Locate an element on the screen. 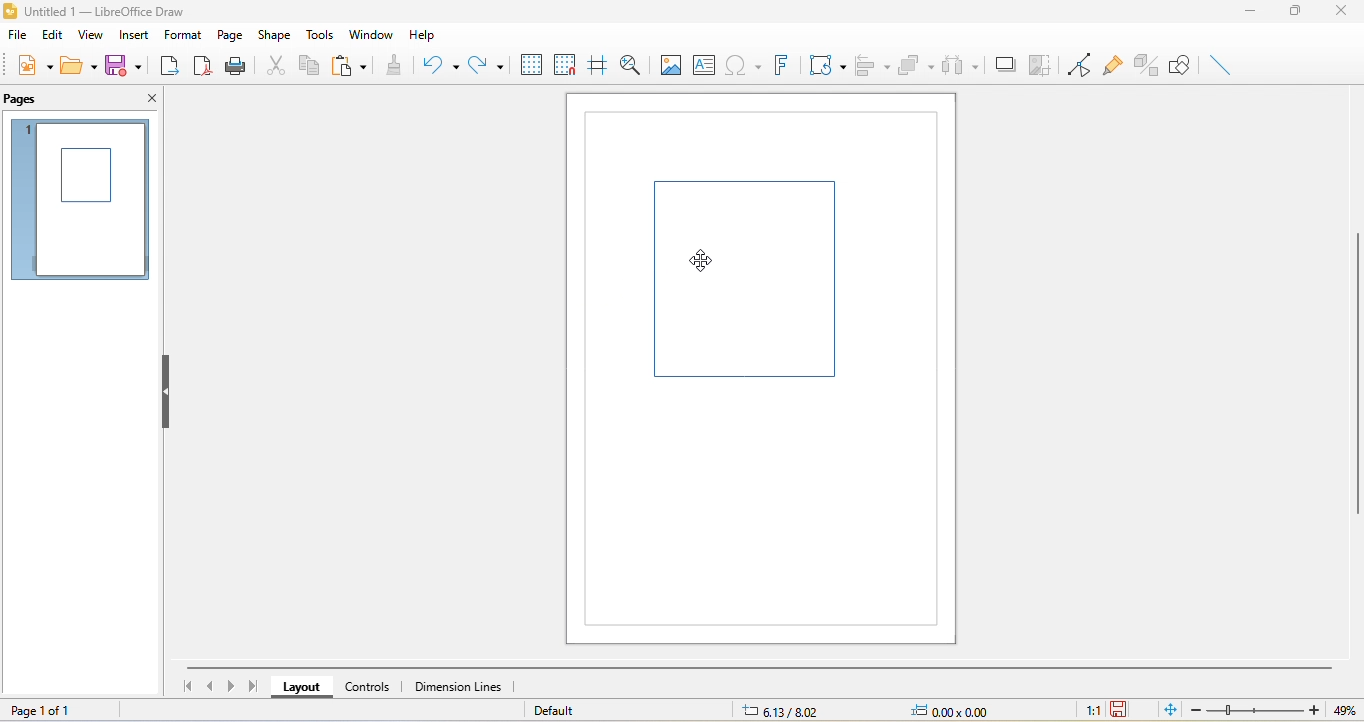 This screenshot has width=1364, height=722. minimize is located at coordinates (1250, 13).